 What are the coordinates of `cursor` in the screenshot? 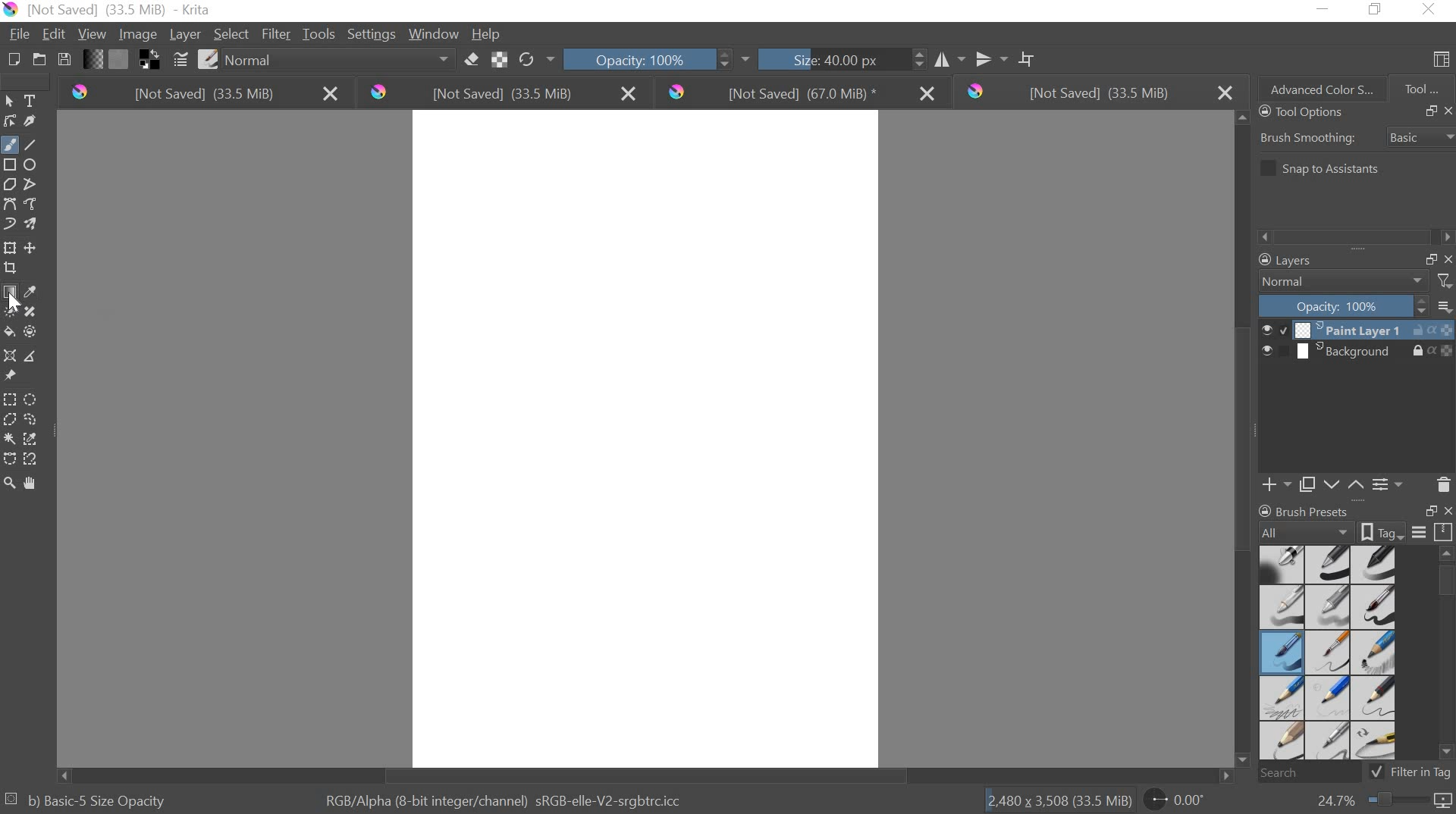 It's located at (14, 302).